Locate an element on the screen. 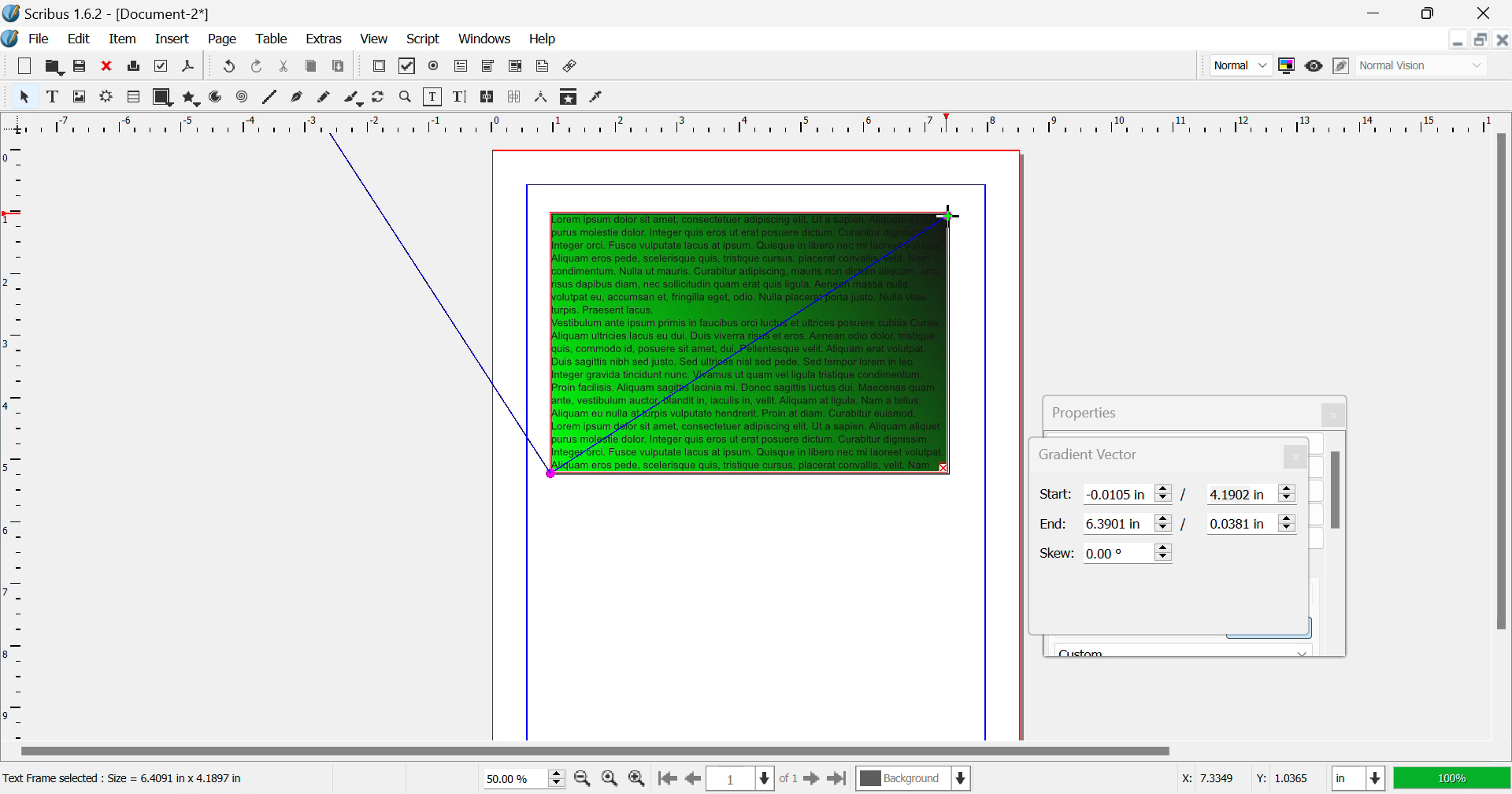 This screenshot has height=794, width=1512. Restore Down is located at coordinates (1459, 39).